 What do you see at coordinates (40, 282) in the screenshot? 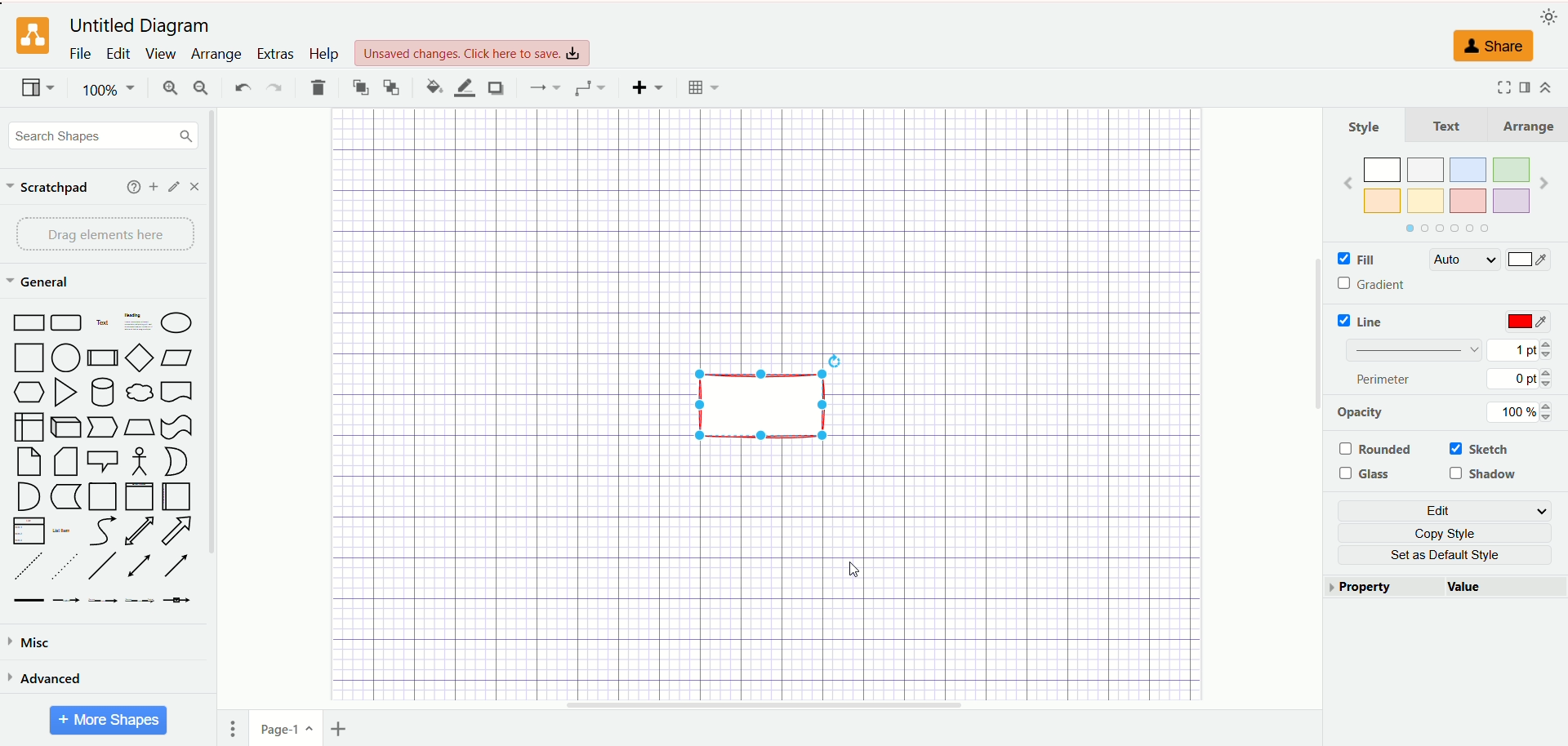
I see `general` at bounding box center [40, 282].